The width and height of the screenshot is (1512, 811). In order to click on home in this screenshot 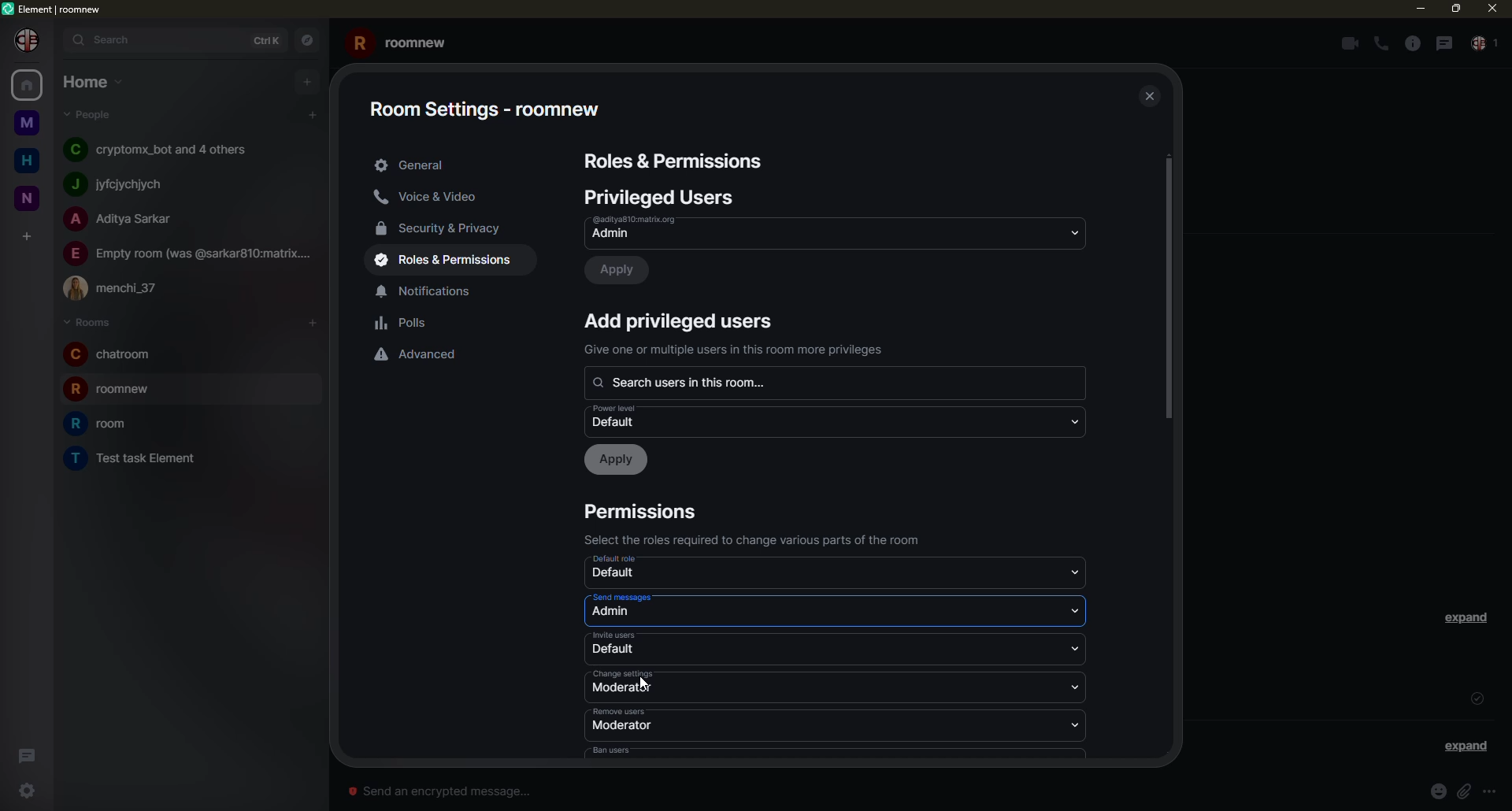, I will do `click(93, 82)`.